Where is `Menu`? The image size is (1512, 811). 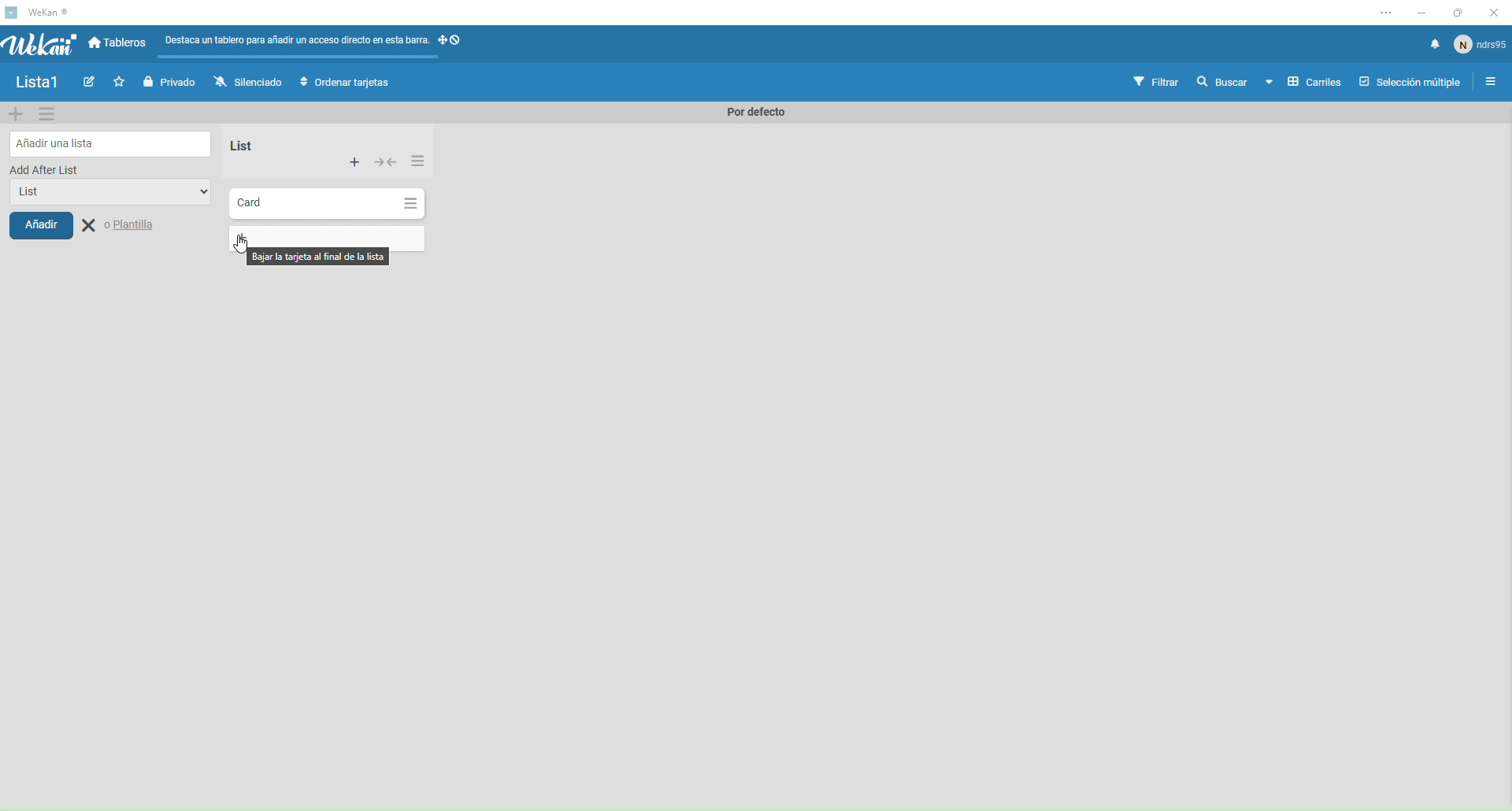
Menu is located at coordinates (1492, 83).